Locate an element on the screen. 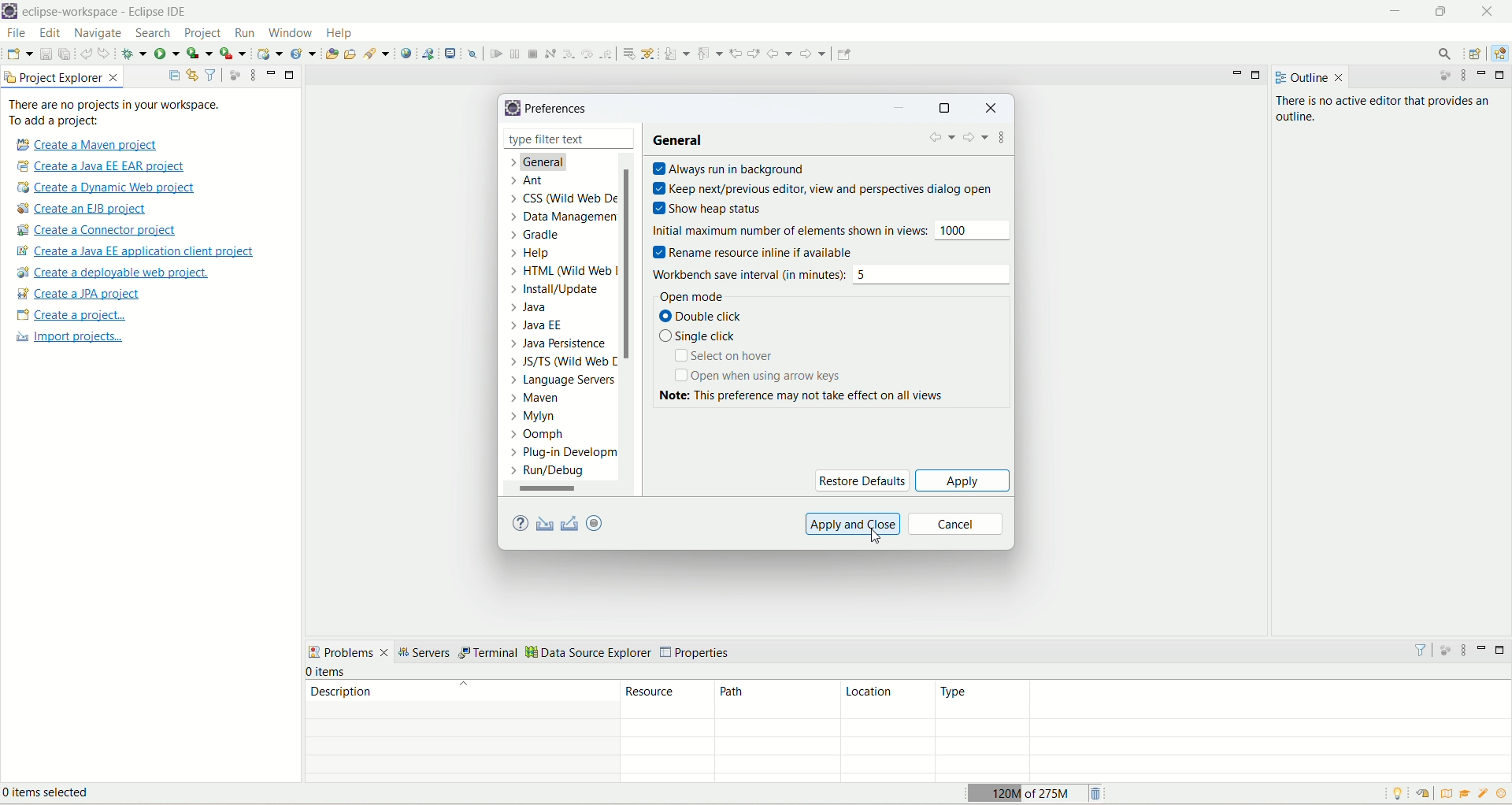 The width and height of the screenshot is (1512, 805). CSS is located at coordinates (561, 201).